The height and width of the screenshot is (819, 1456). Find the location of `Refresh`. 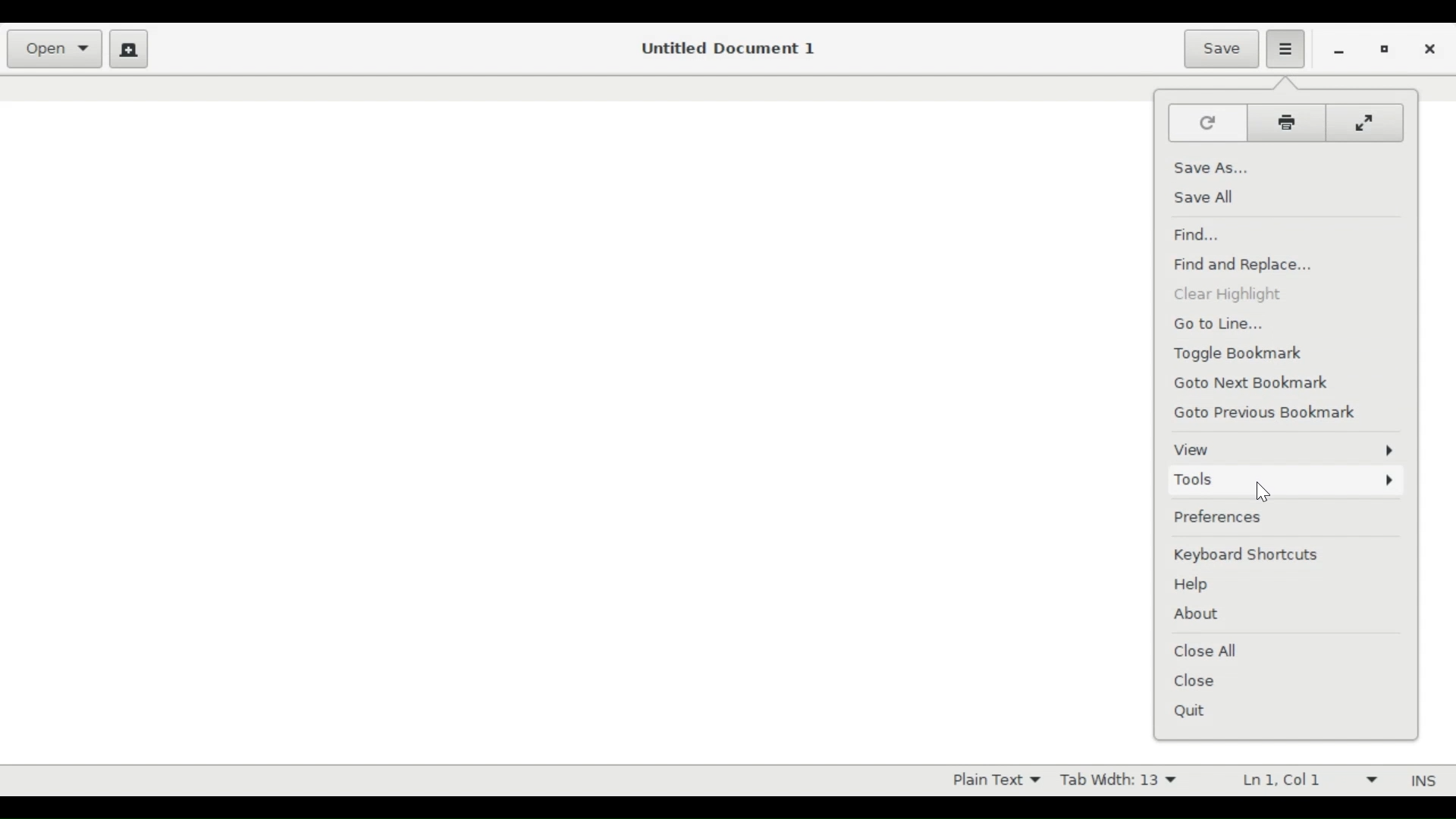

Refresh is located at coordinates (1207, 122).